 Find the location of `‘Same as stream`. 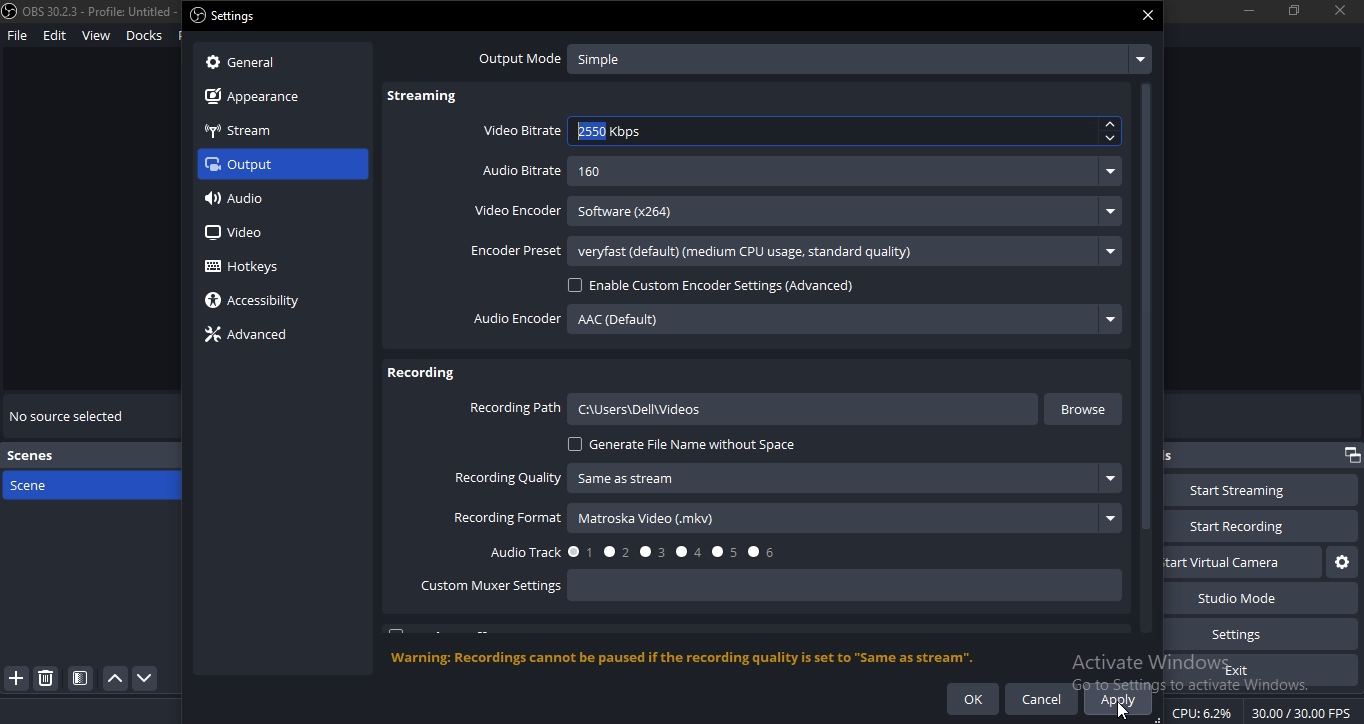

‘Same as stream is located at coordinates (848, 478).